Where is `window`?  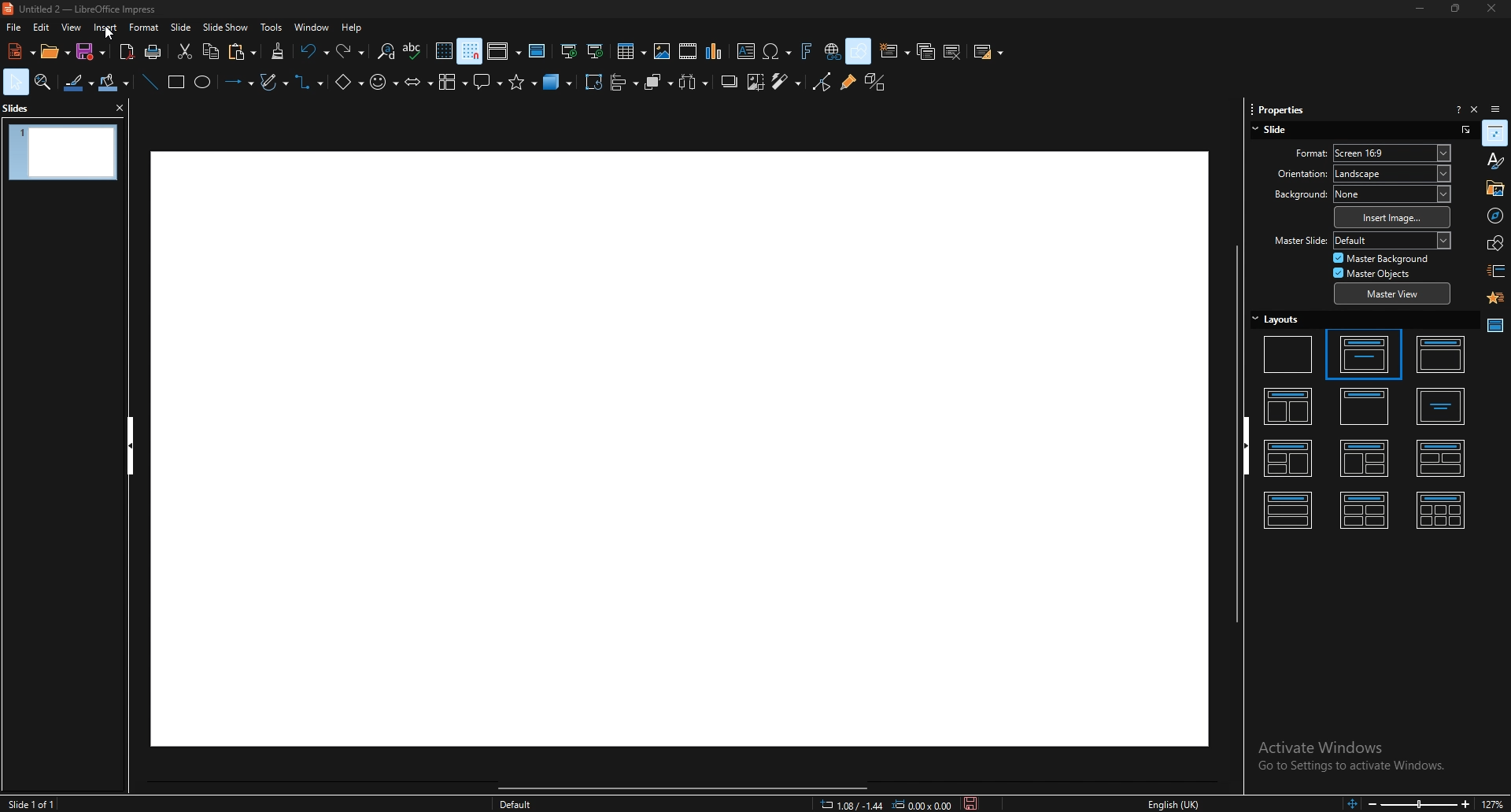
window is located at coordinates (312, 27).